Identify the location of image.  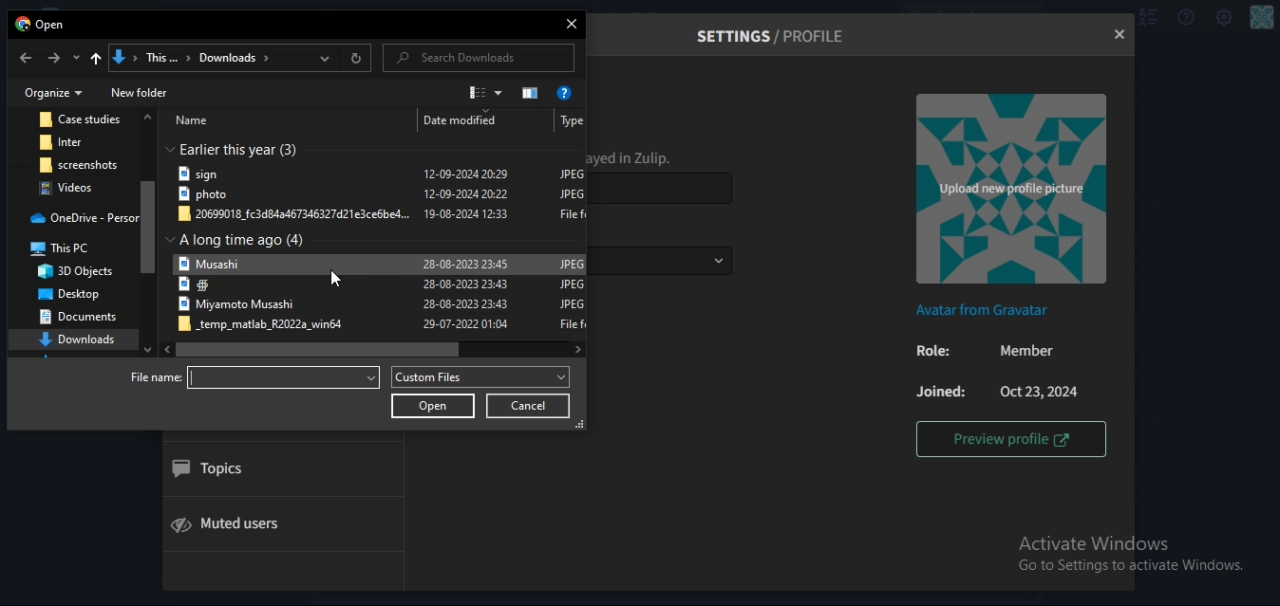
(1009, 190).